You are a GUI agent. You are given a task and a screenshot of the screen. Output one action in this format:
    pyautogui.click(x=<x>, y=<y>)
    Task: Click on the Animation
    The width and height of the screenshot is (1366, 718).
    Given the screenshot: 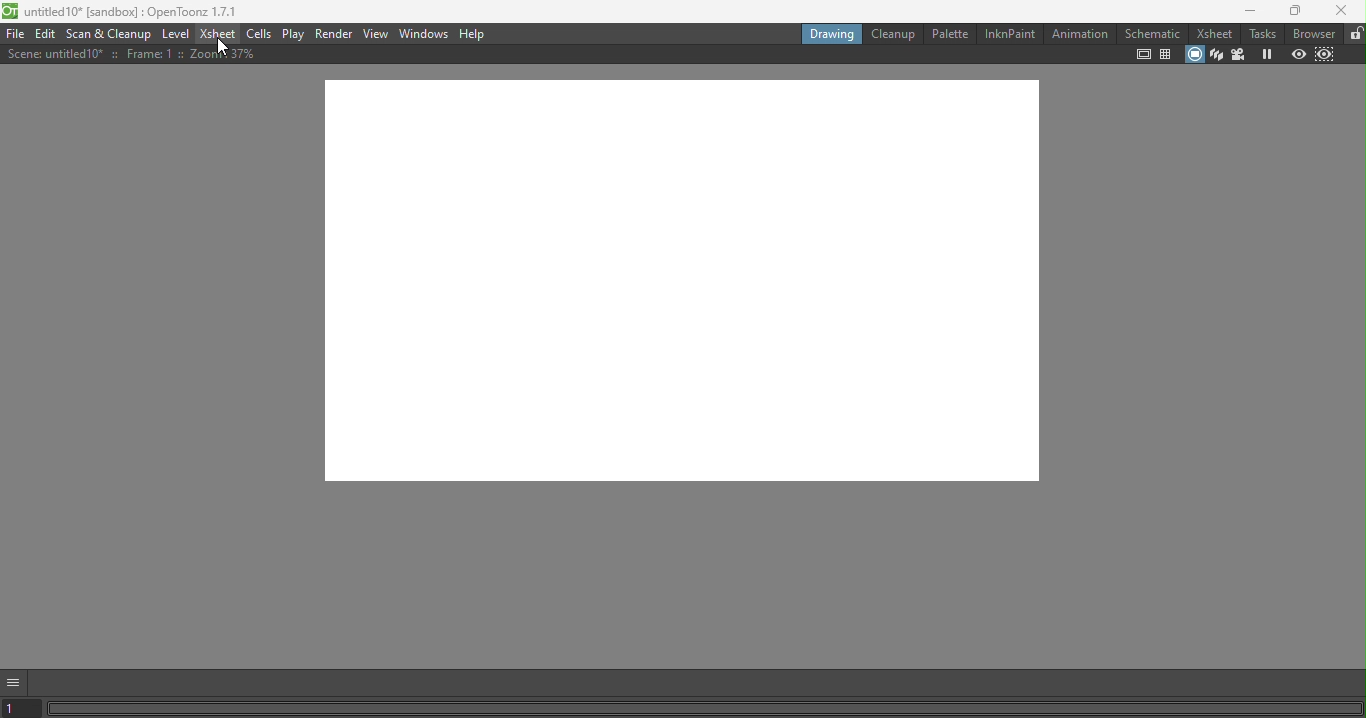 What is the action you would take?
    pyautogui.click(x=1079, y=34)
    